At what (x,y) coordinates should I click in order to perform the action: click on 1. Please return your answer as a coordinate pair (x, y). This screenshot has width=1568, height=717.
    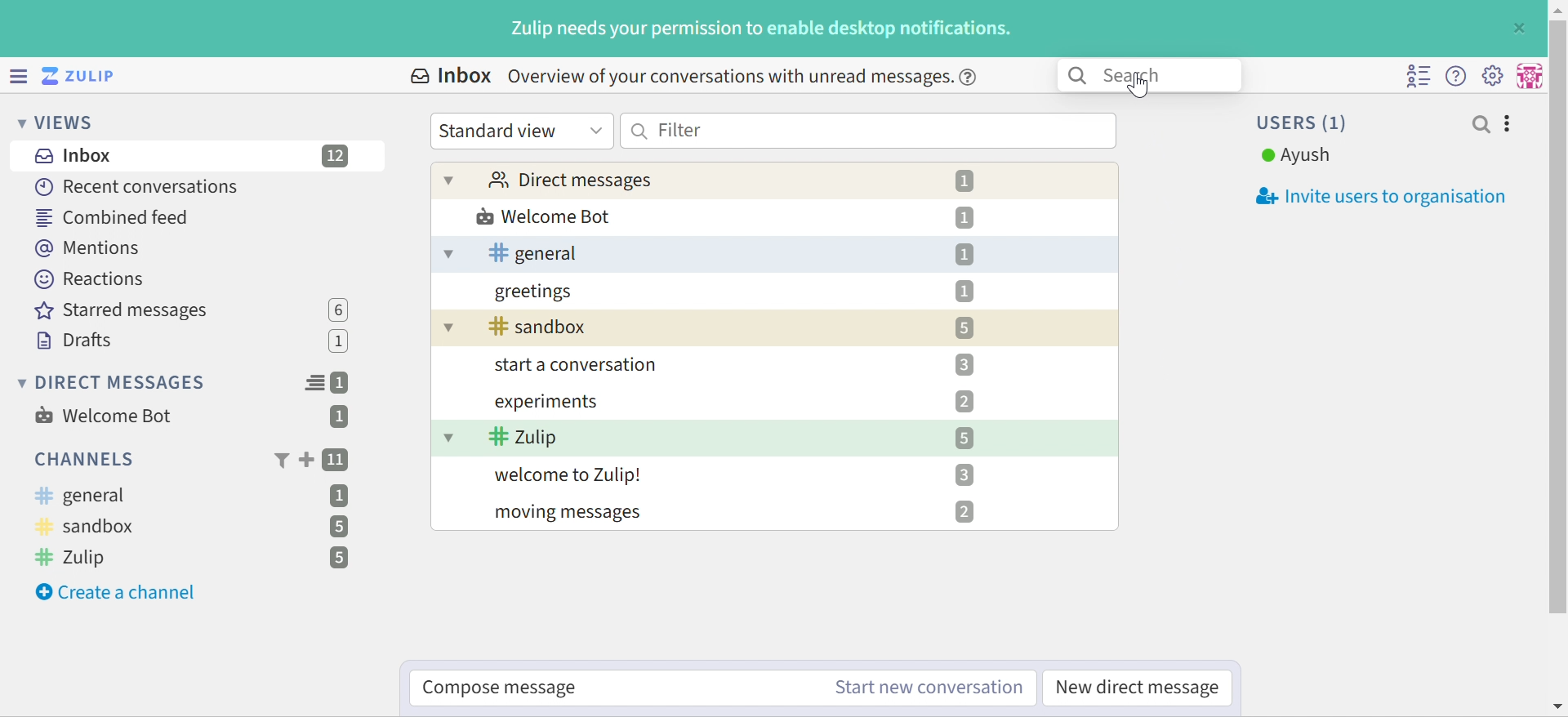
    Looking at the image, I should click on (339, 418).